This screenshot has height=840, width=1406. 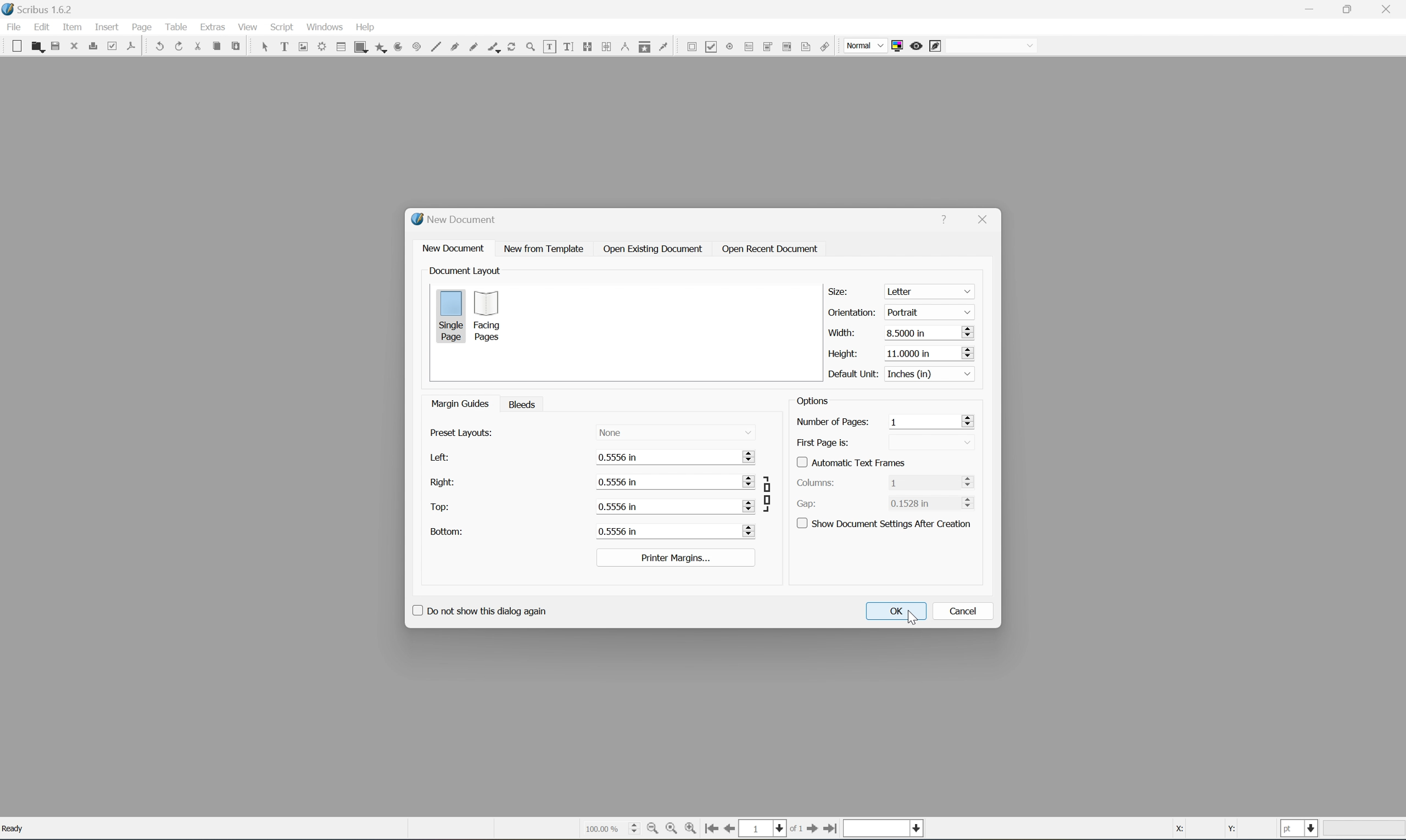 I want to click on cursor, so click(x=904, y=619).